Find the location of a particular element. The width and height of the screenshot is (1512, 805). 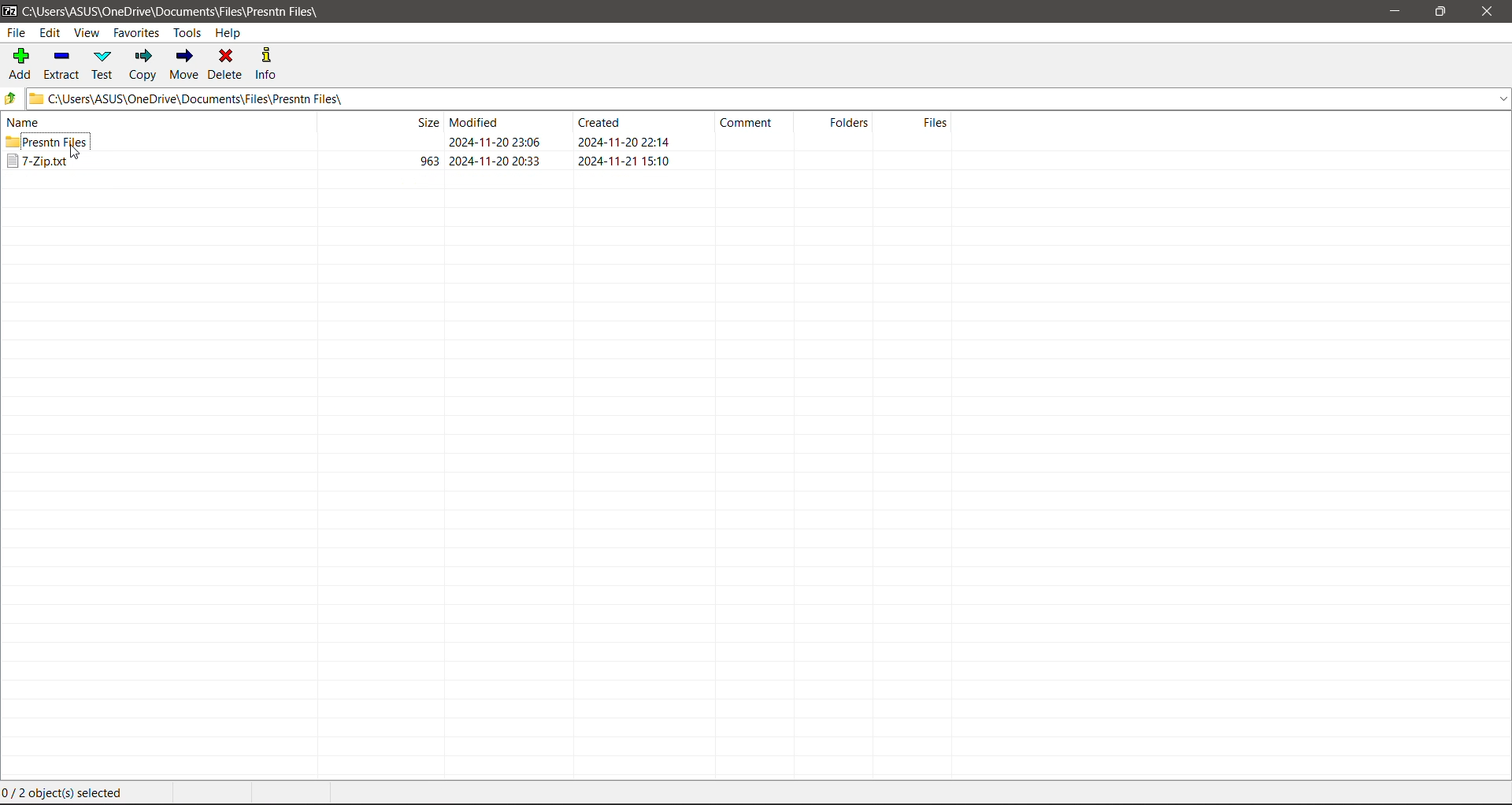

Current File selection status is located at coordinates (66, 793).